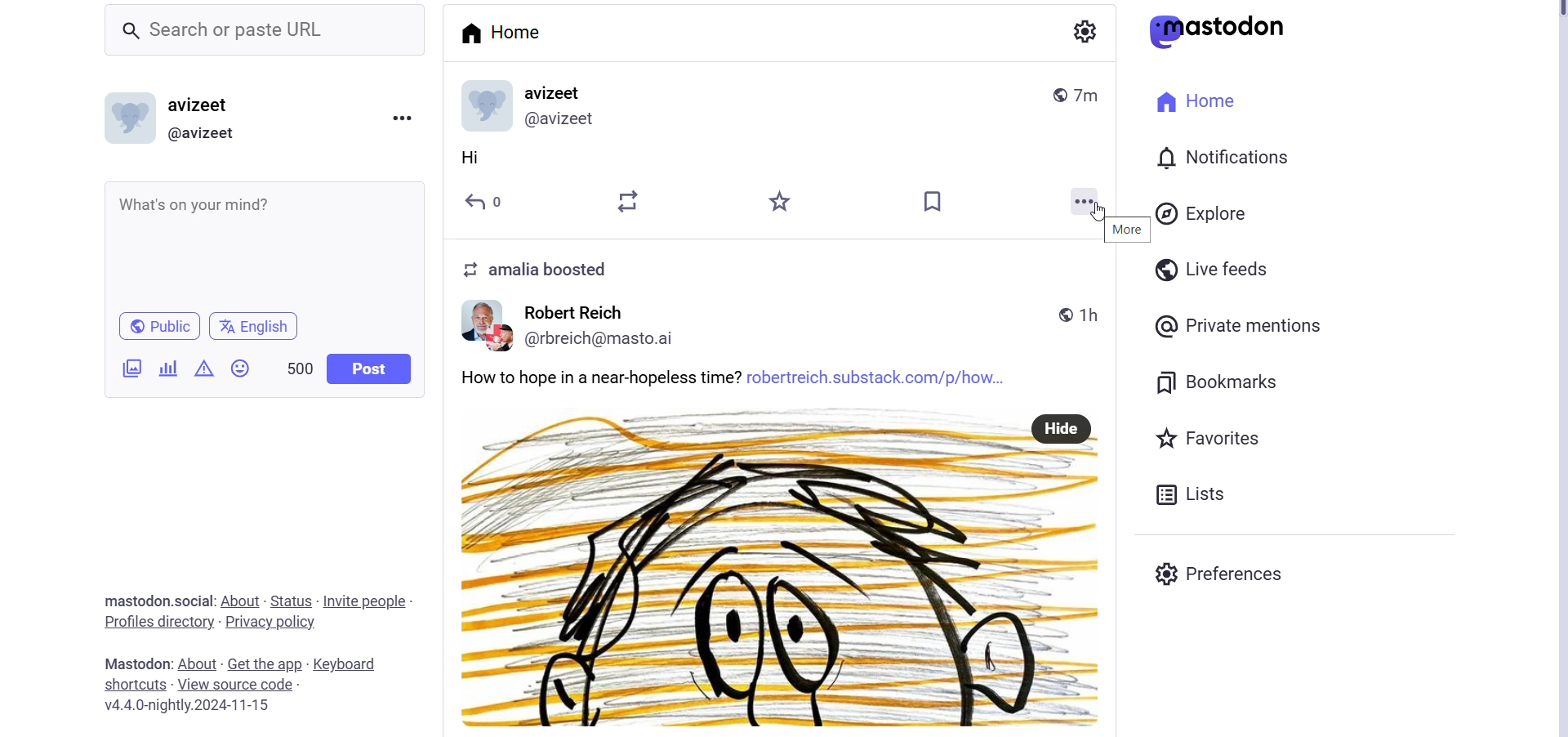 This screenshot has width=1568, height=737. I want to click on Version, so click(193, 707).